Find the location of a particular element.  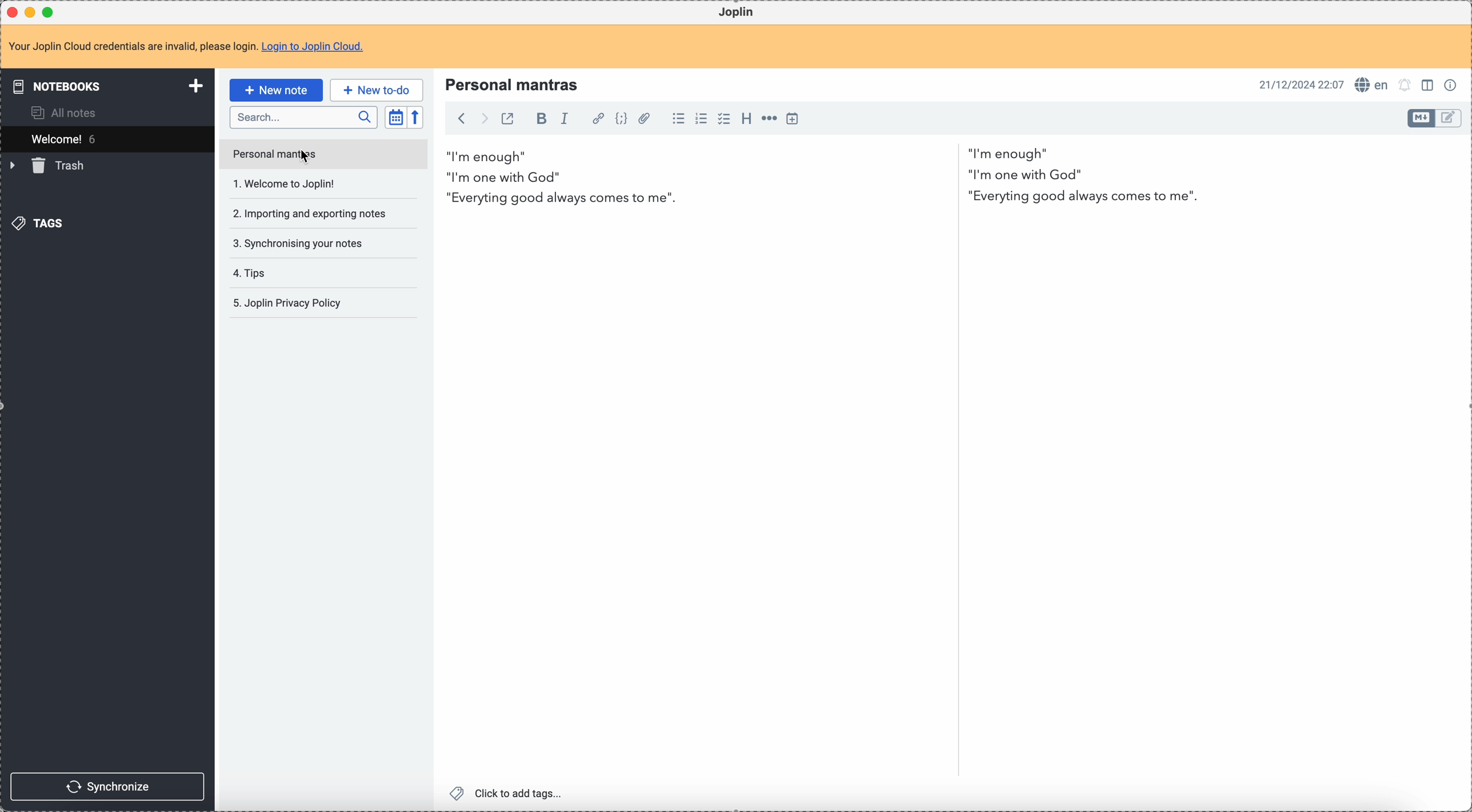

toggle sort order field is located at coordinates (394, 117).